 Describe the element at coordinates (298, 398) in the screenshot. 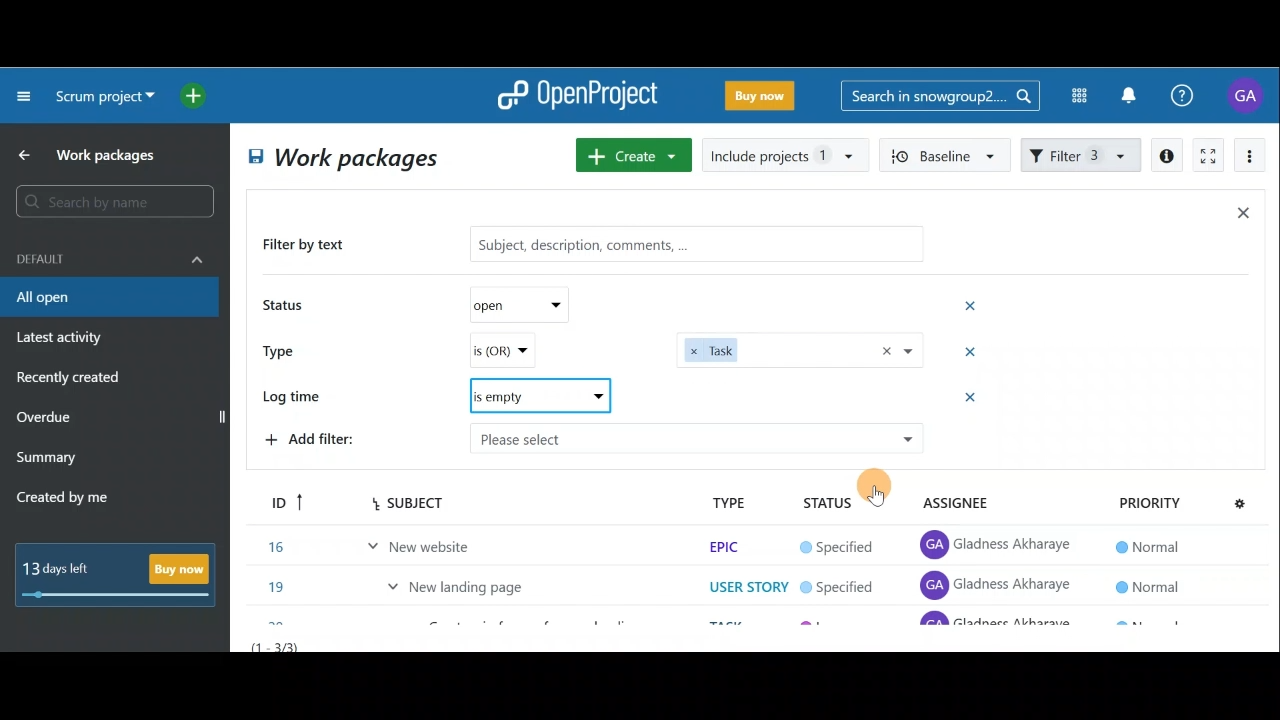

I see `Log time` at that location.